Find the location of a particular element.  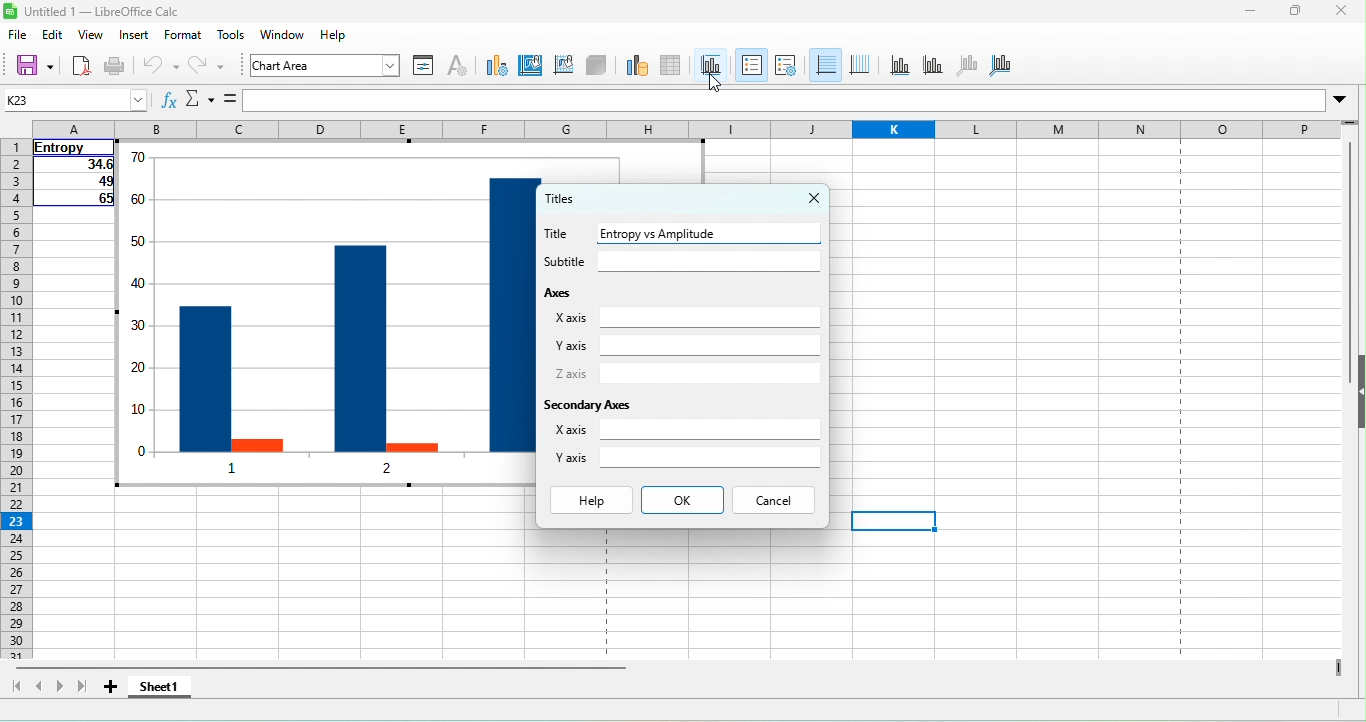

secondary axes is located at coordinates (617, 403).